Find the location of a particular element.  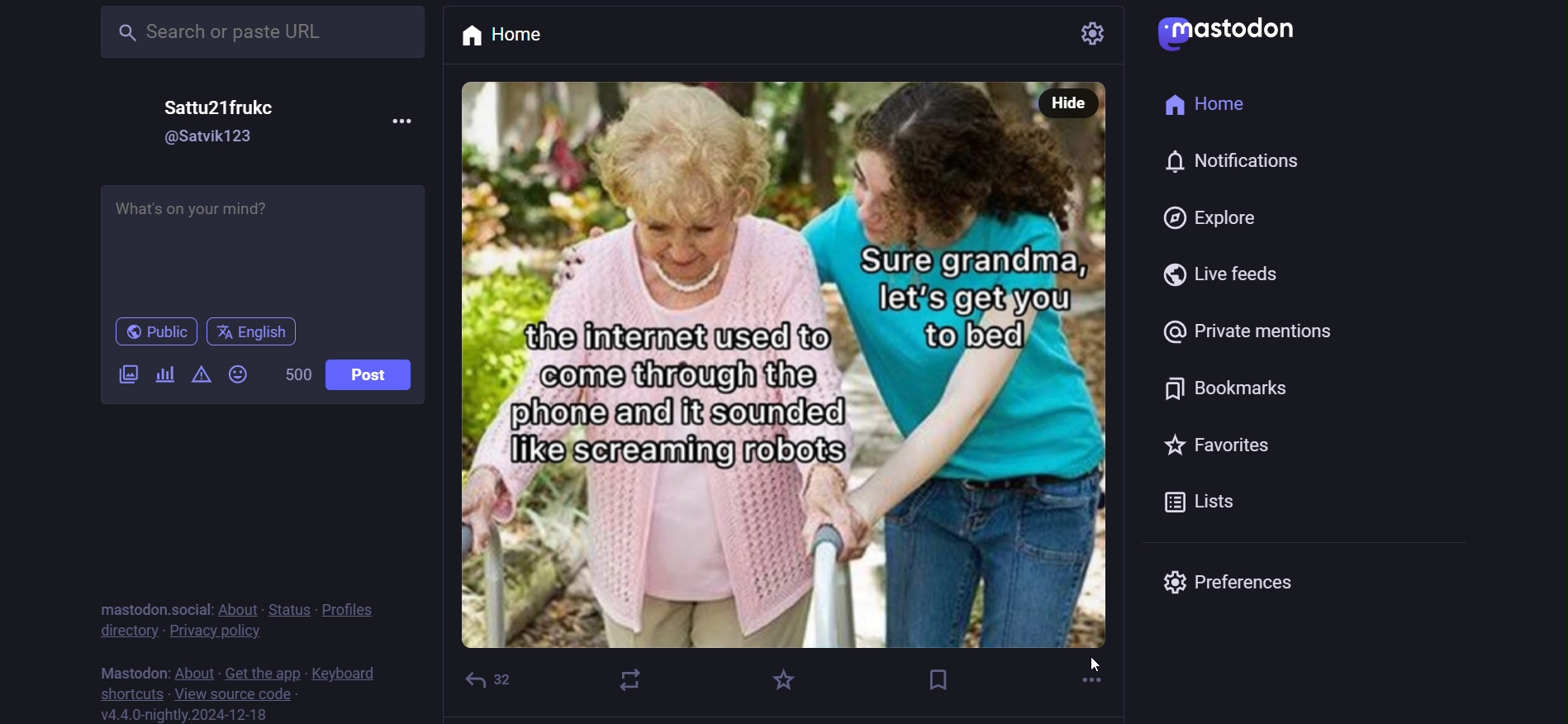

more is located at coordinates (1084, 675).